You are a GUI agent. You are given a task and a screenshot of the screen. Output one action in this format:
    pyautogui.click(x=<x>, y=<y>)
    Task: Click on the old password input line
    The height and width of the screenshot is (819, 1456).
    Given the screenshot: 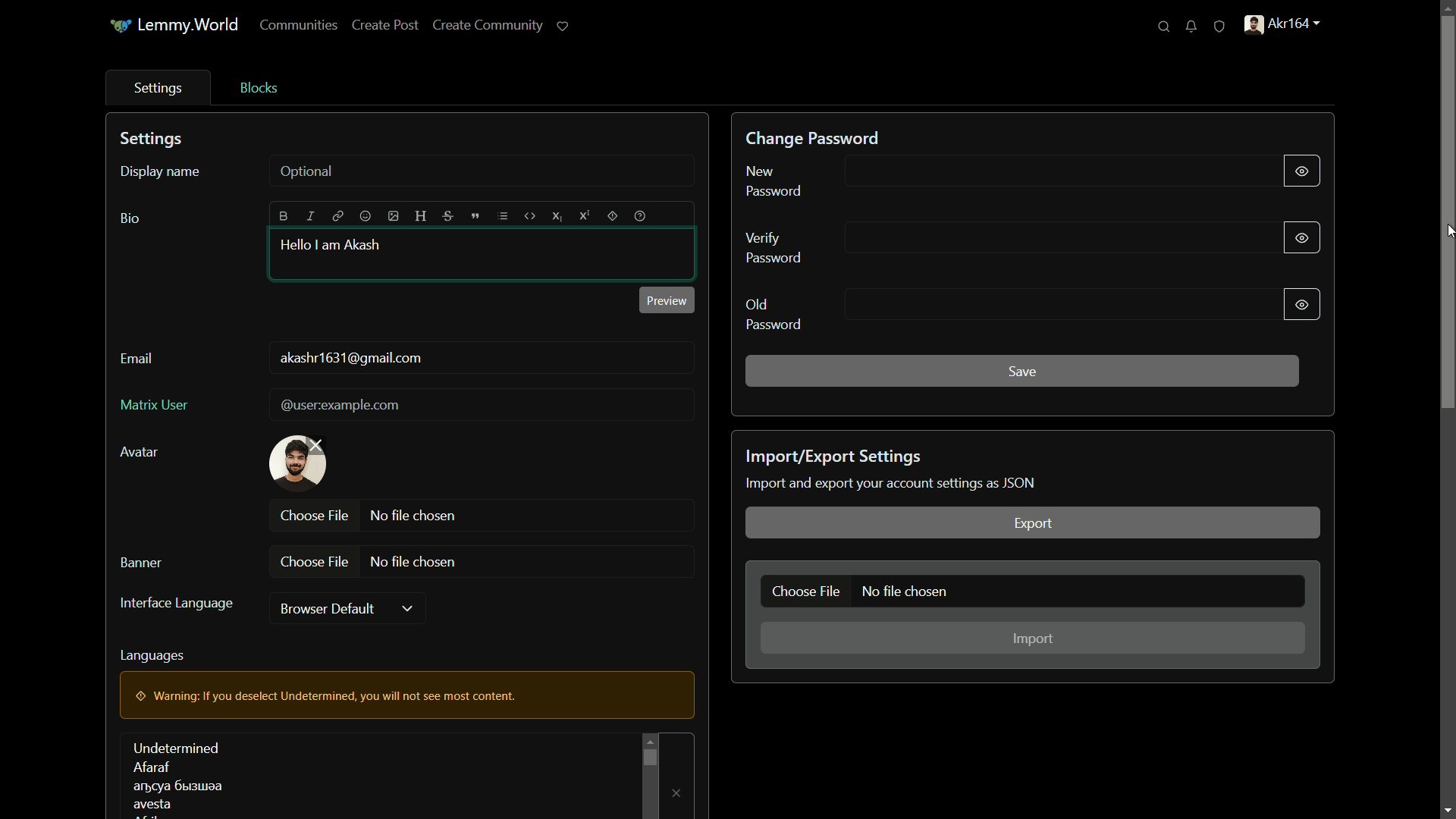 What is the action you would take?
    pyautogui.click(x=1058, y=304)
    